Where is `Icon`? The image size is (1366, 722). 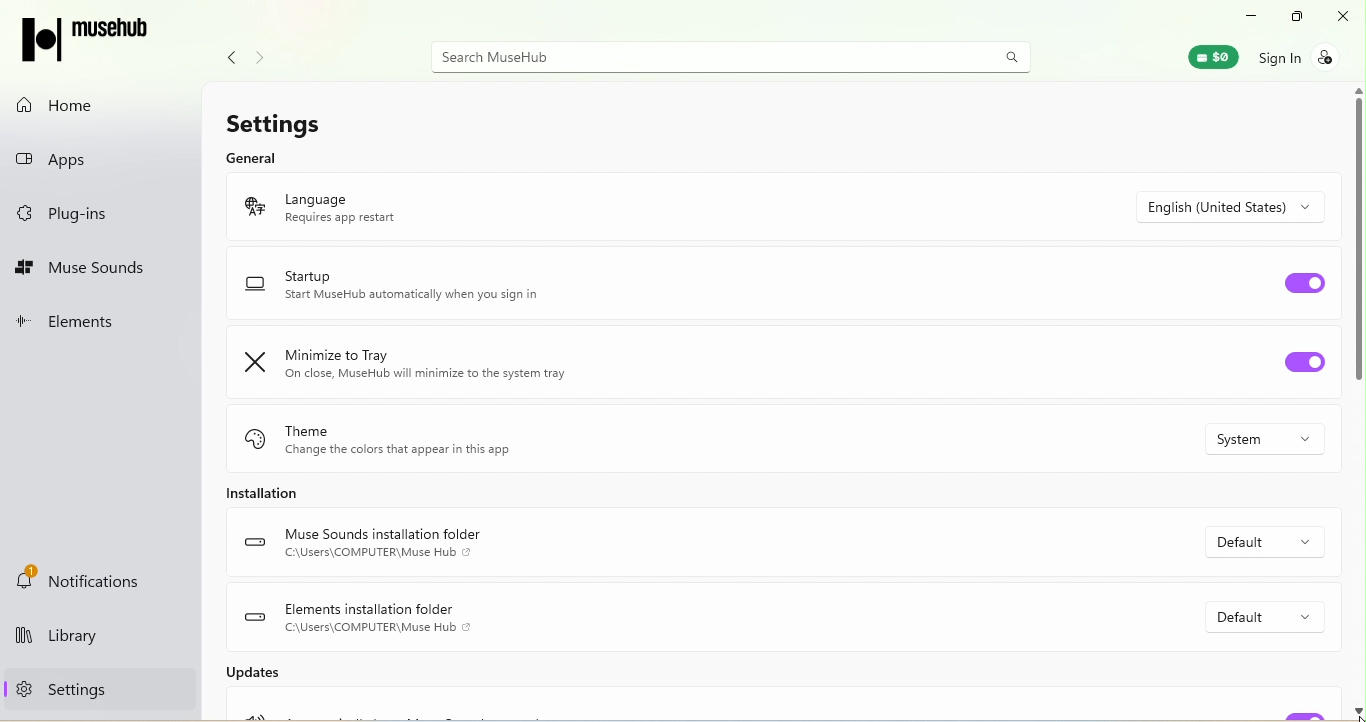 Icon is located at coordinates (251, 206).